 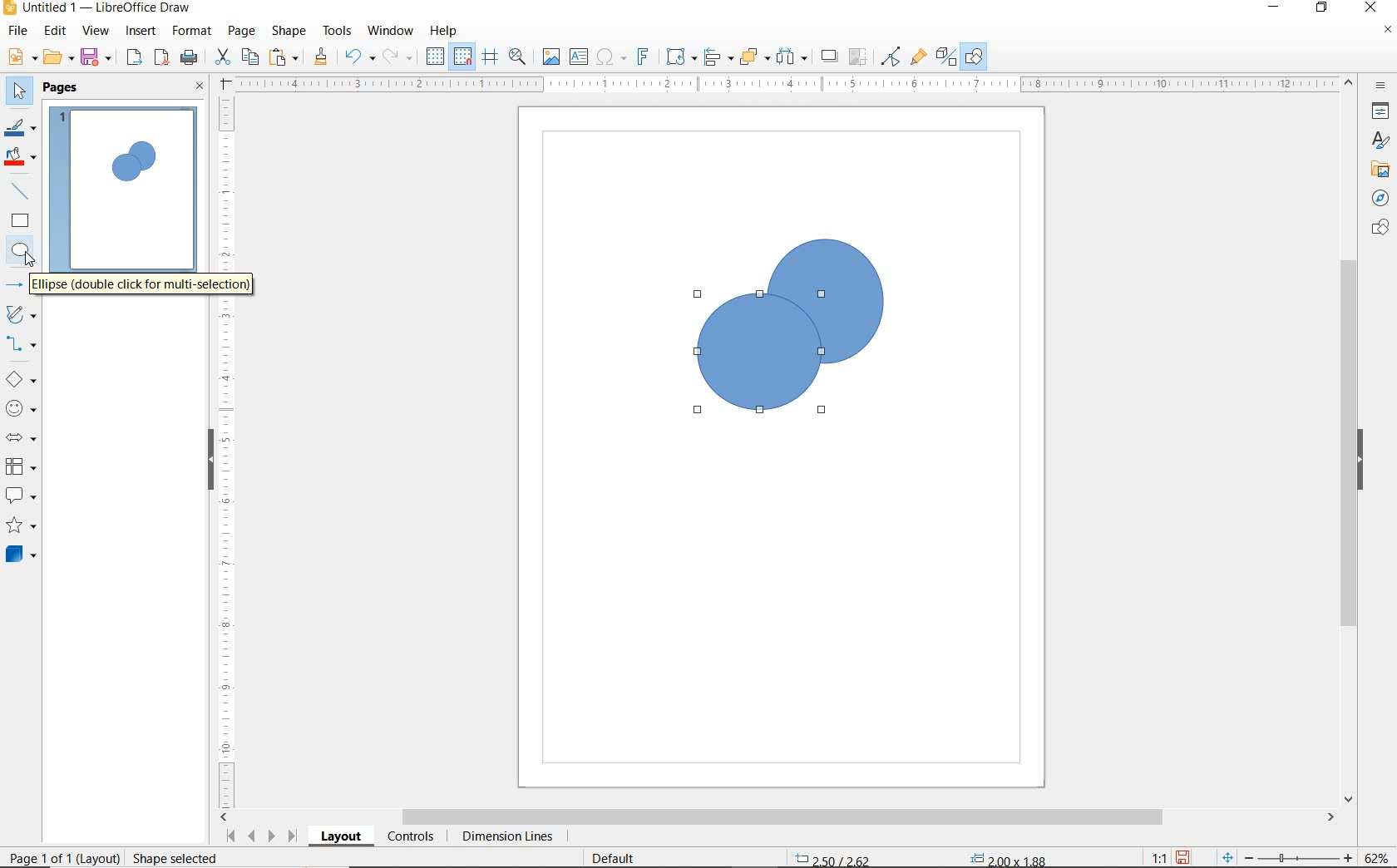 I want to click on CLONE FORMATTING, so click(x=320, y=57).